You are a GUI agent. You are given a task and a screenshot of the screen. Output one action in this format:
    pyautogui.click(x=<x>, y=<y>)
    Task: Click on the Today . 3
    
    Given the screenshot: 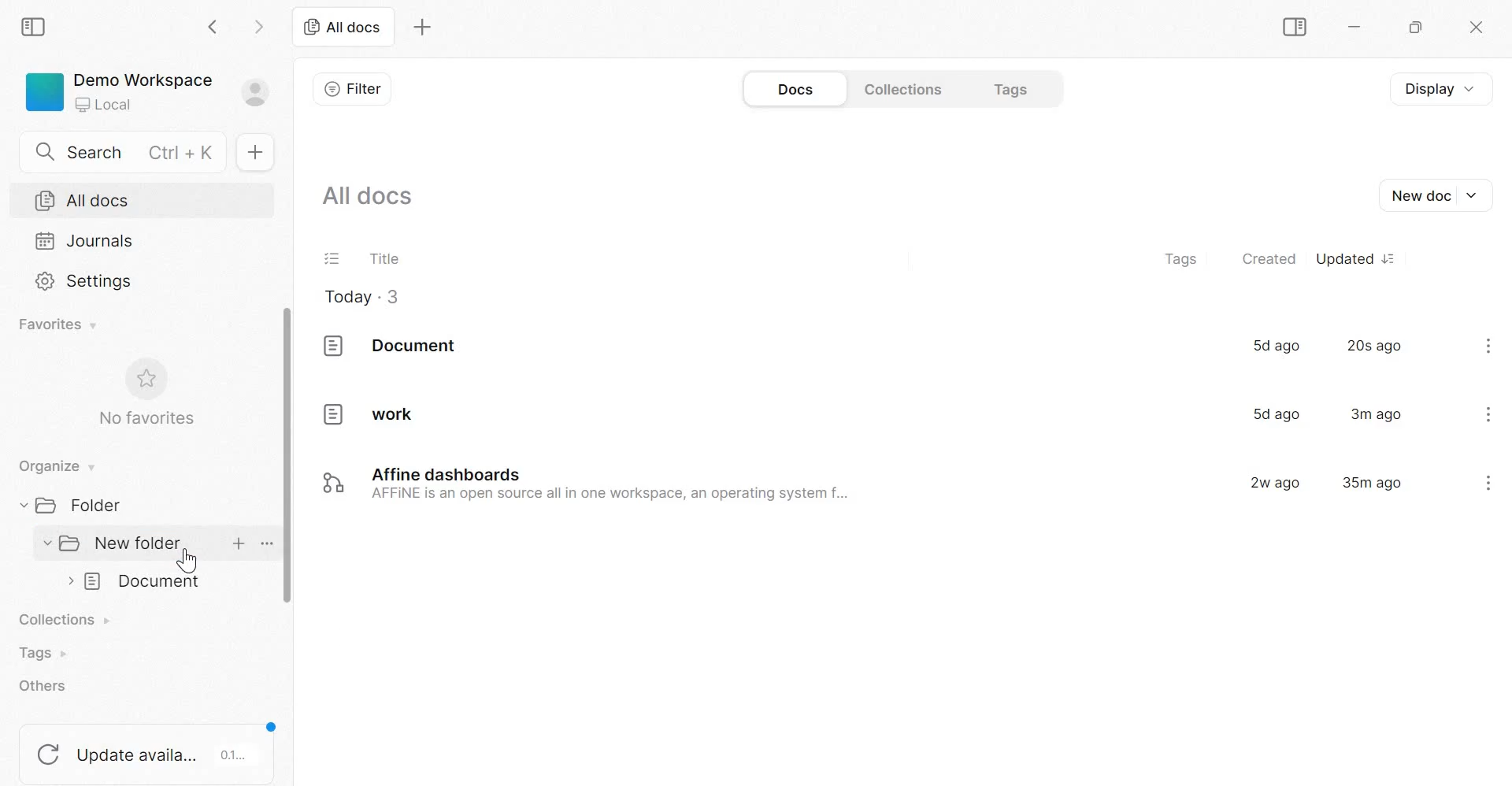 What is the action you would take?
    pyautogui.click(x=362, y=297)
    